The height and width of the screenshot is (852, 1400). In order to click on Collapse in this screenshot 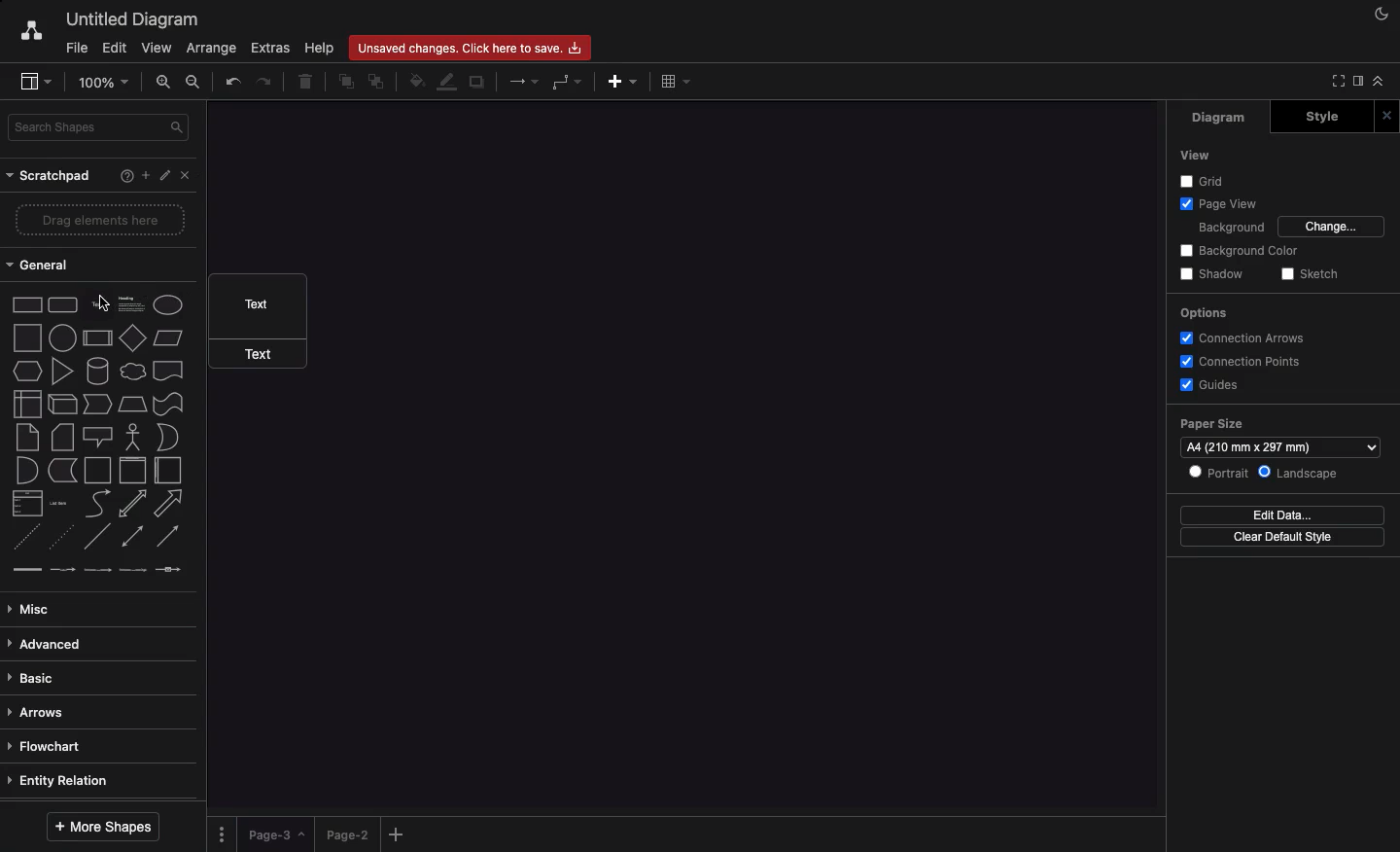, I will do `click(1378, 81)`.